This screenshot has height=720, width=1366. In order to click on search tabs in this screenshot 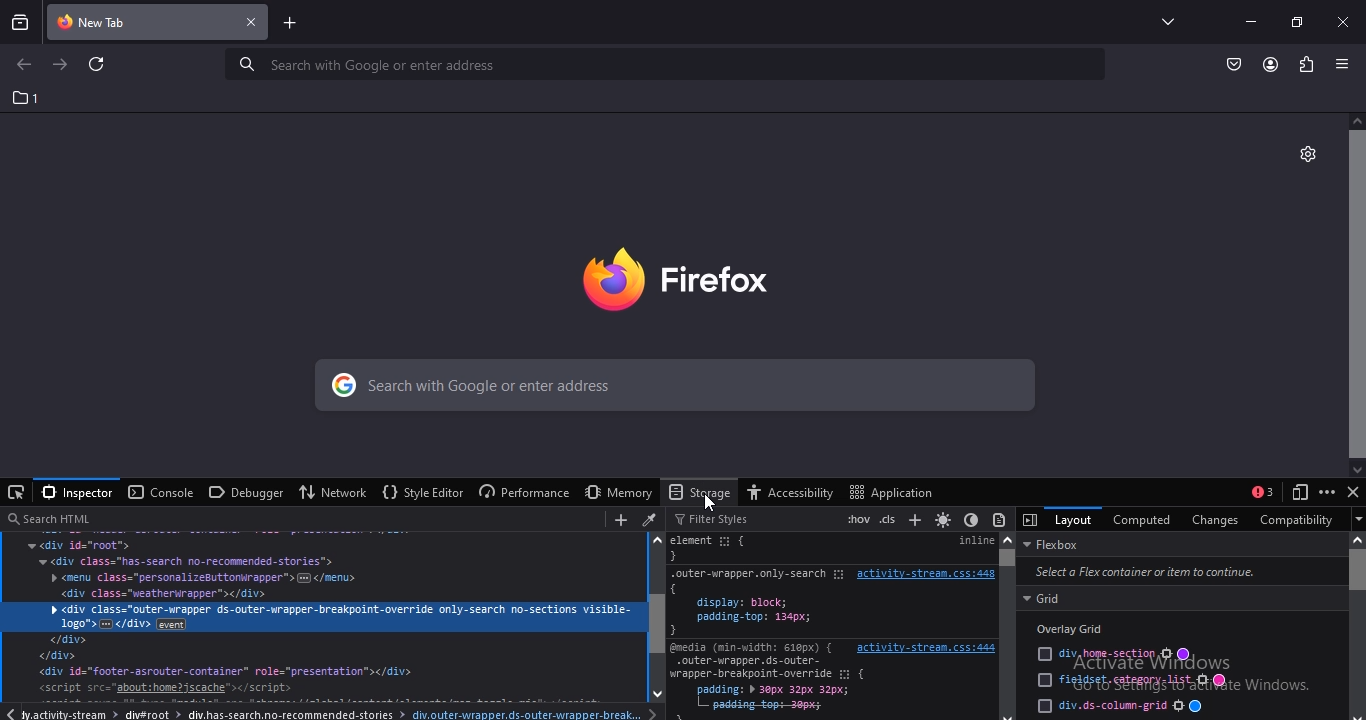, I will do `click(21, 22)`.